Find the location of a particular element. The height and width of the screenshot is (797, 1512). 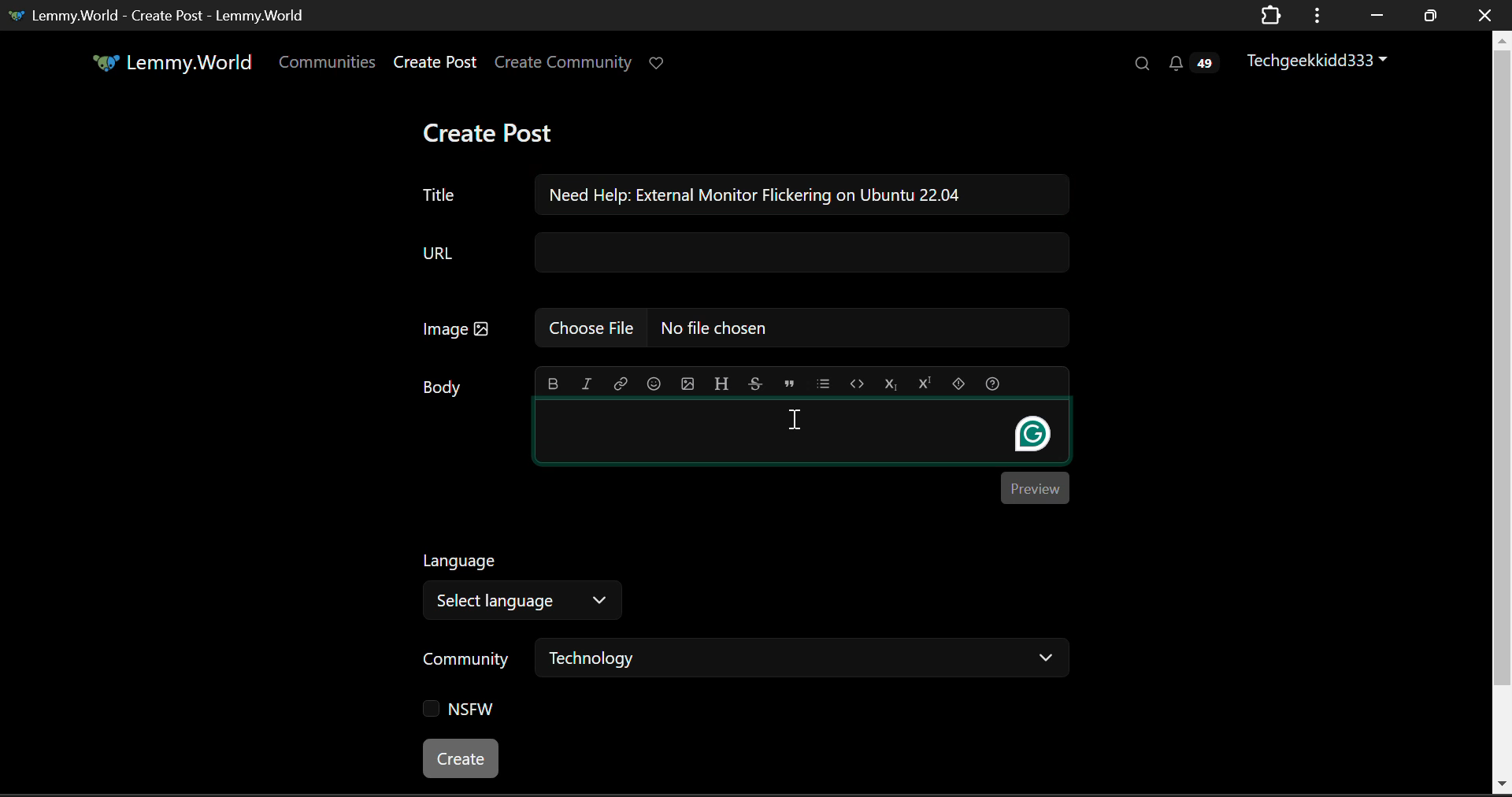

Insert Image Field is located at coordinates (736, 330).